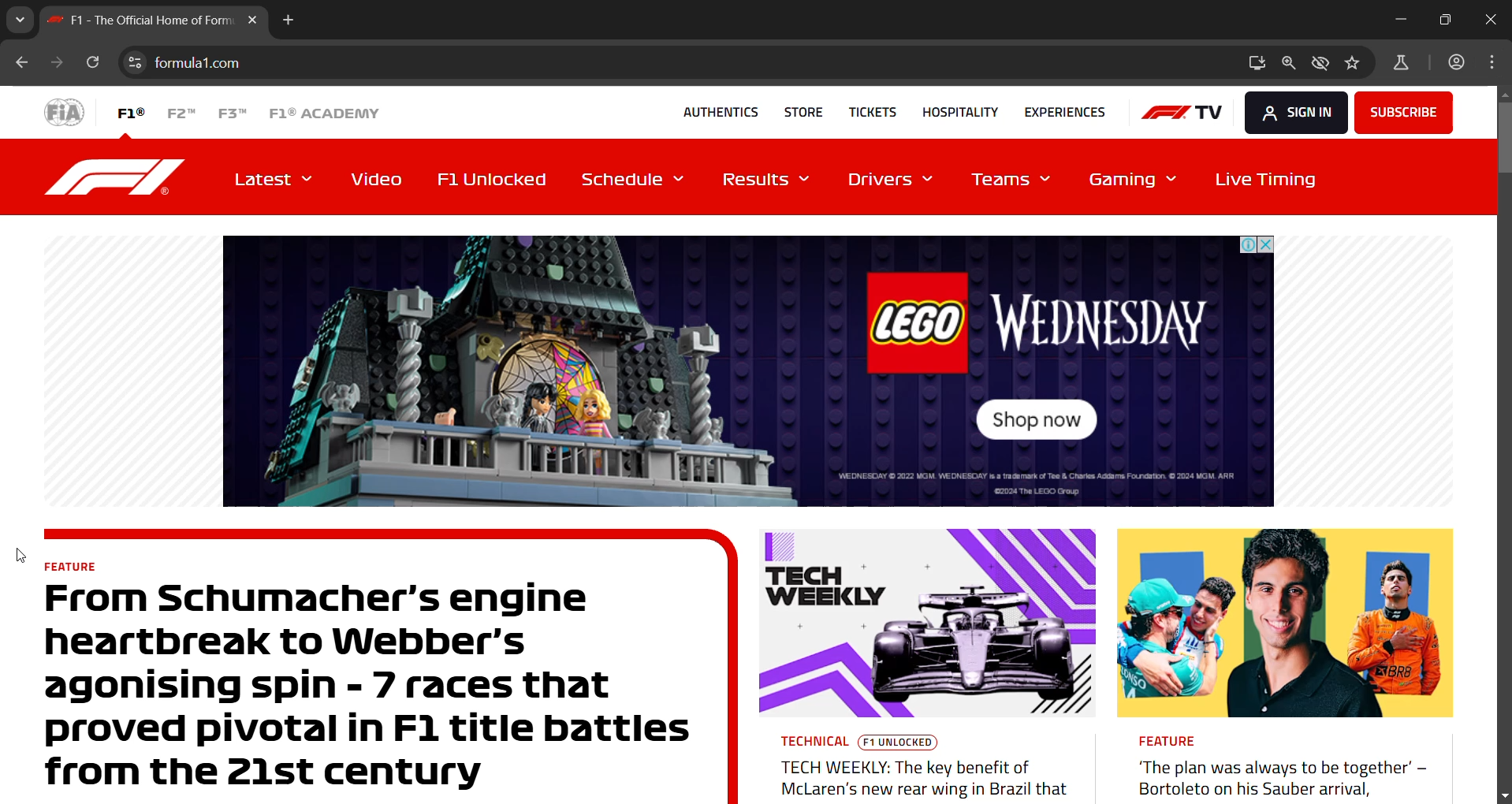  Describe the element at coordinates (798, 109) in the screenshot. I see `STORE` at that location.